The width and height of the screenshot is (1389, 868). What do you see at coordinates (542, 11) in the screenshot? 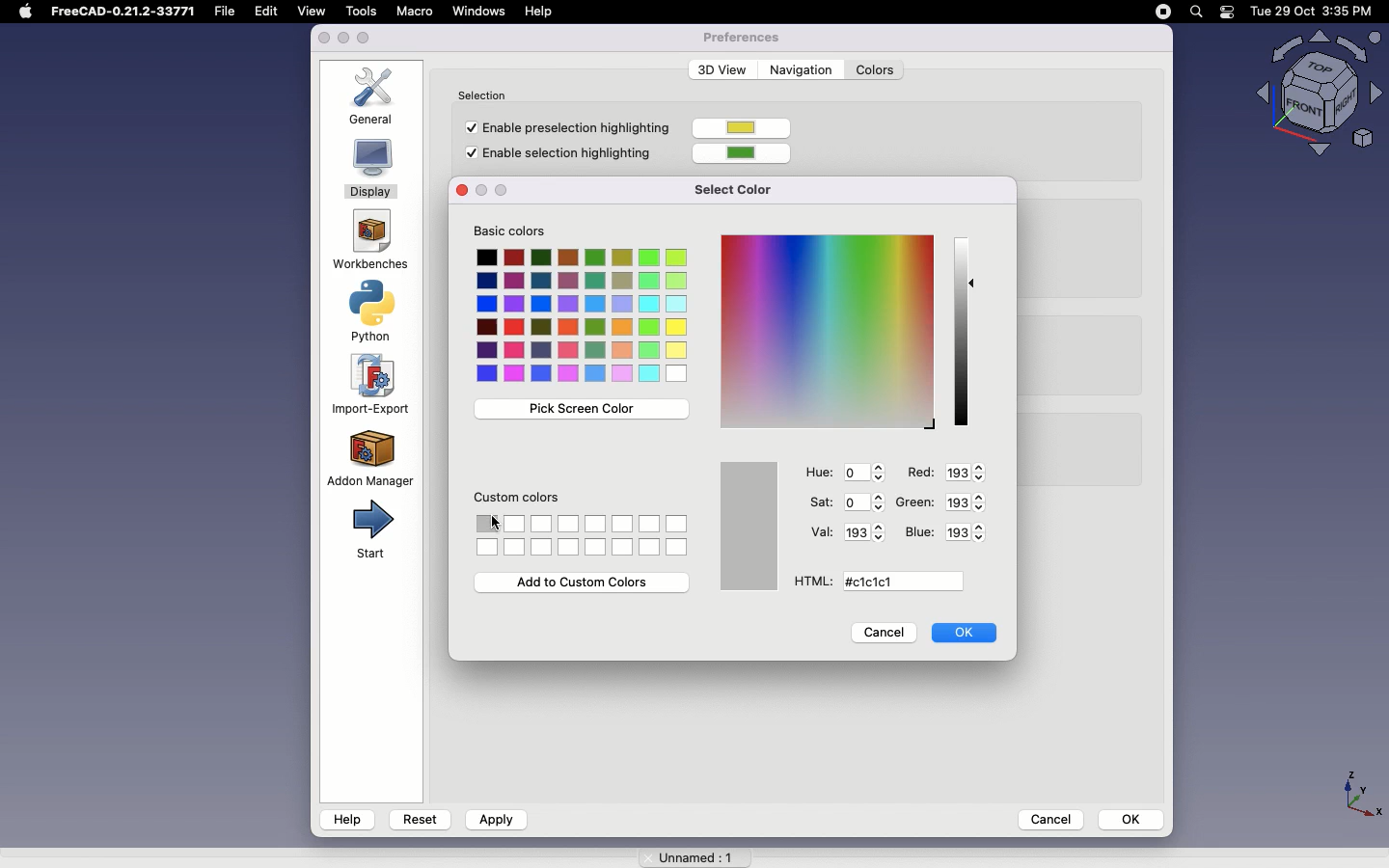
I see `Help` at bounding box center [542, 11].